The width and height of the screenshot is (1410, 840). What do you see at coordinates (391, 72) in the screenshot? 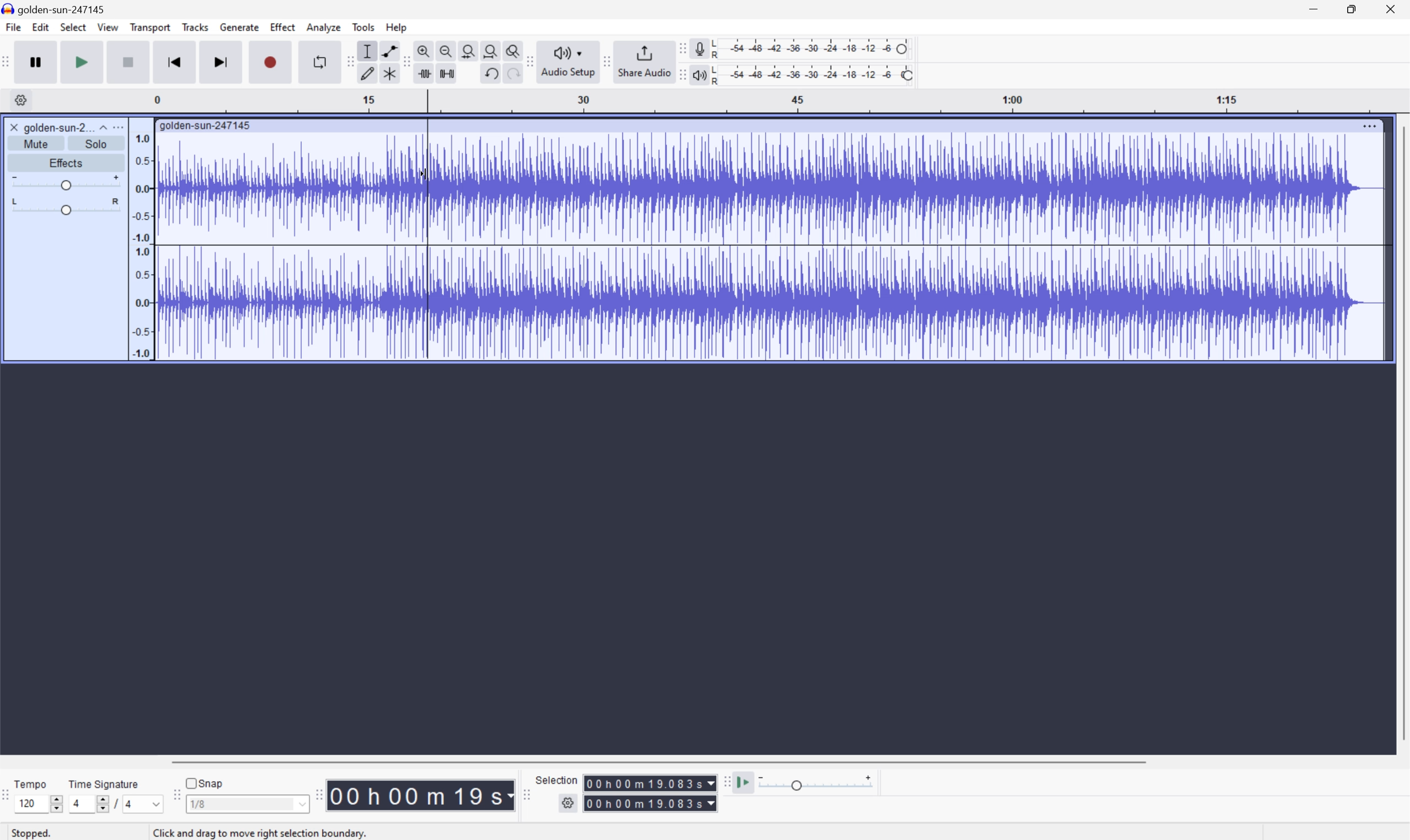
I see `Multi tool` at bounding box center [391, 72].